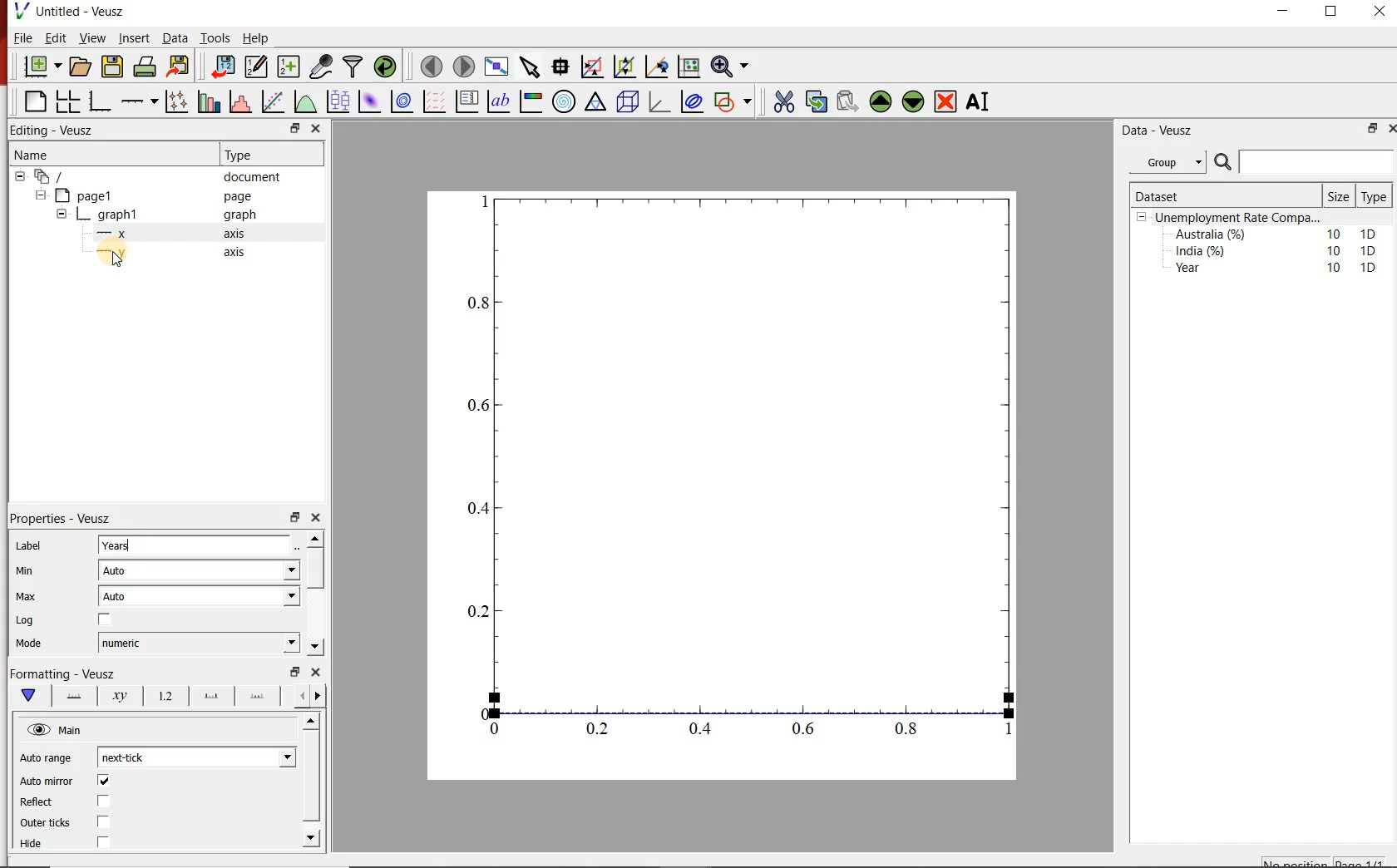  What do you see at coordinates (239, 101) in the screenshot?
I see `histograms` at bounding box center [239, 101].